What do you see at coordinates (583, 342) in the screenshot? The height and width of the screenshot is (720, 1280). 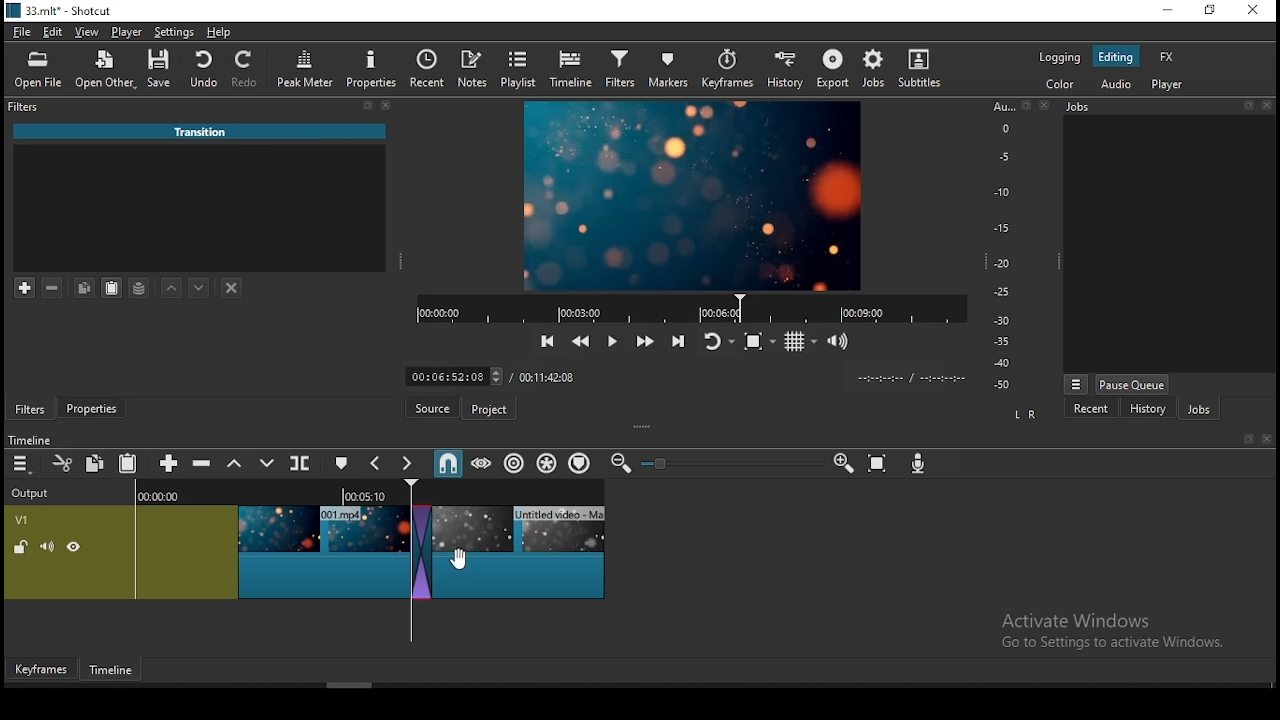 I see `play quickly backward` at bounding box center [583, 342].